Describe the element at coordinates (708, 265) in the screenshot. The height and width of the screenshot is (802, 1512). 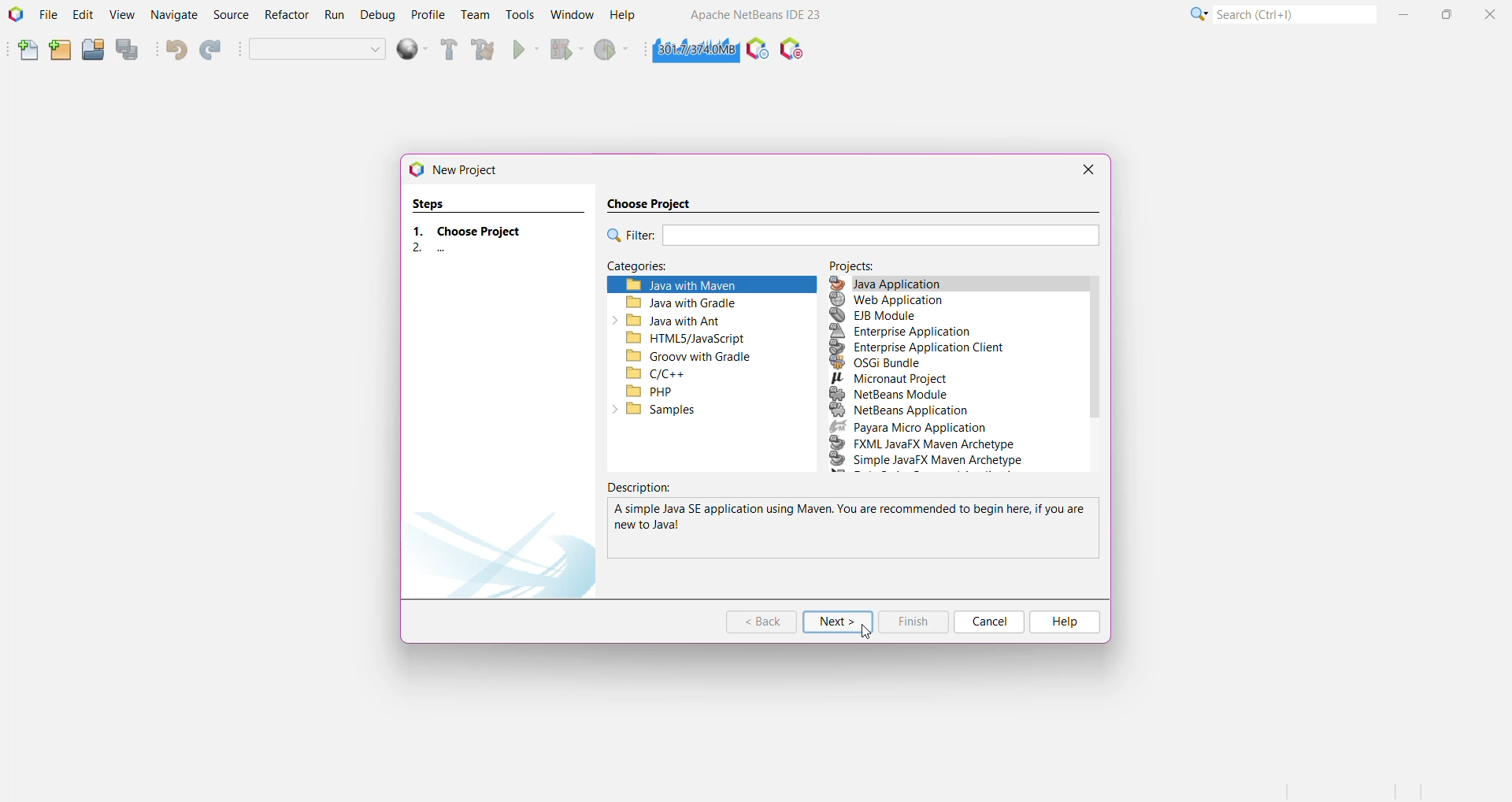
I see `Categories` at that location.